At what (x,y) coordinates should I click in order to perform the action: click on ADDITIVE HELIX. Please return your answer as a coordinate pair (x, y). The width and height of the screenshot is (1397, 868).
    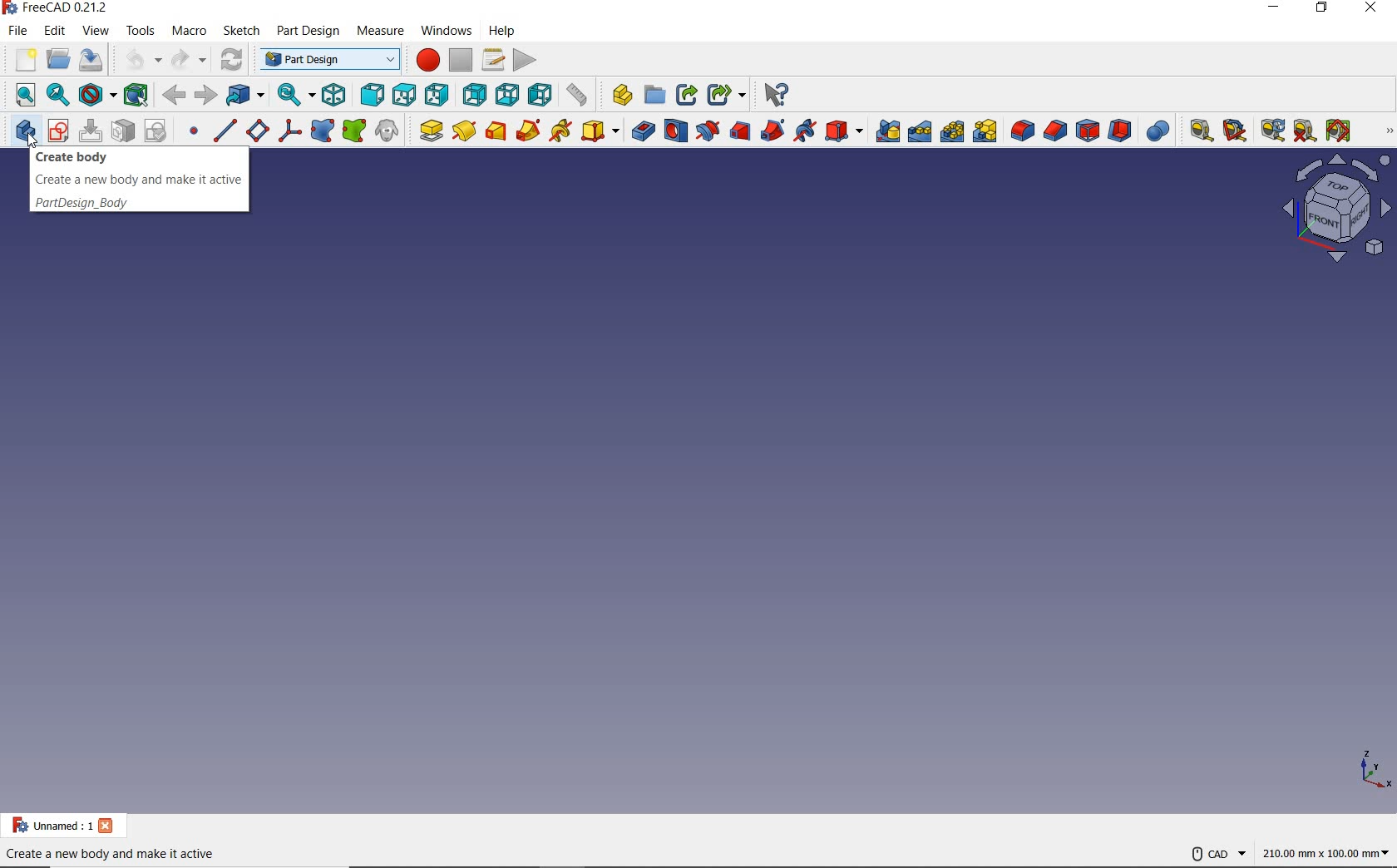
    Looking at the image, I should click on (561, 131).